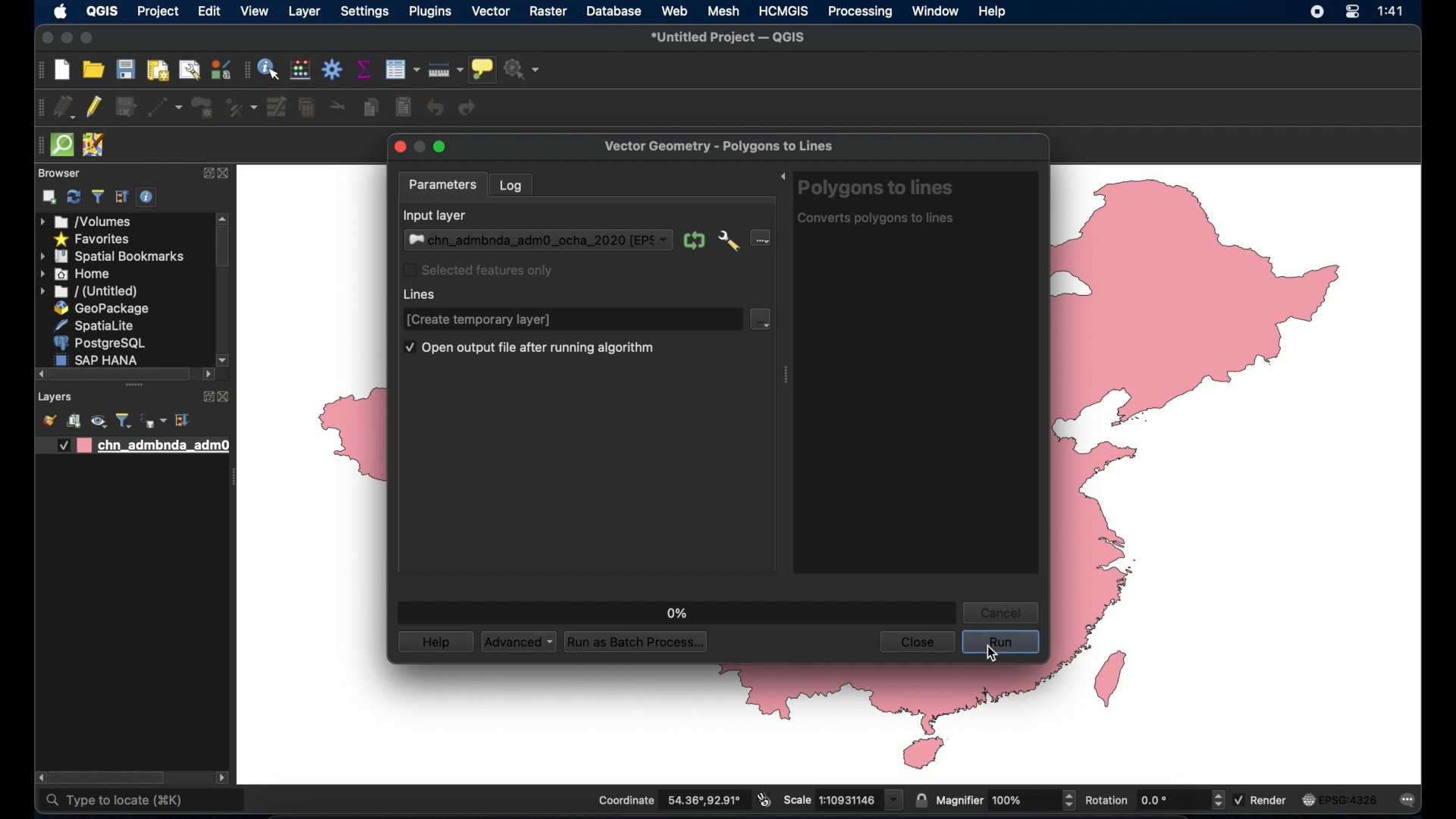  Describe the element at coordinates (89, 292) in the screenshot. I see `untitled menu` at that location.